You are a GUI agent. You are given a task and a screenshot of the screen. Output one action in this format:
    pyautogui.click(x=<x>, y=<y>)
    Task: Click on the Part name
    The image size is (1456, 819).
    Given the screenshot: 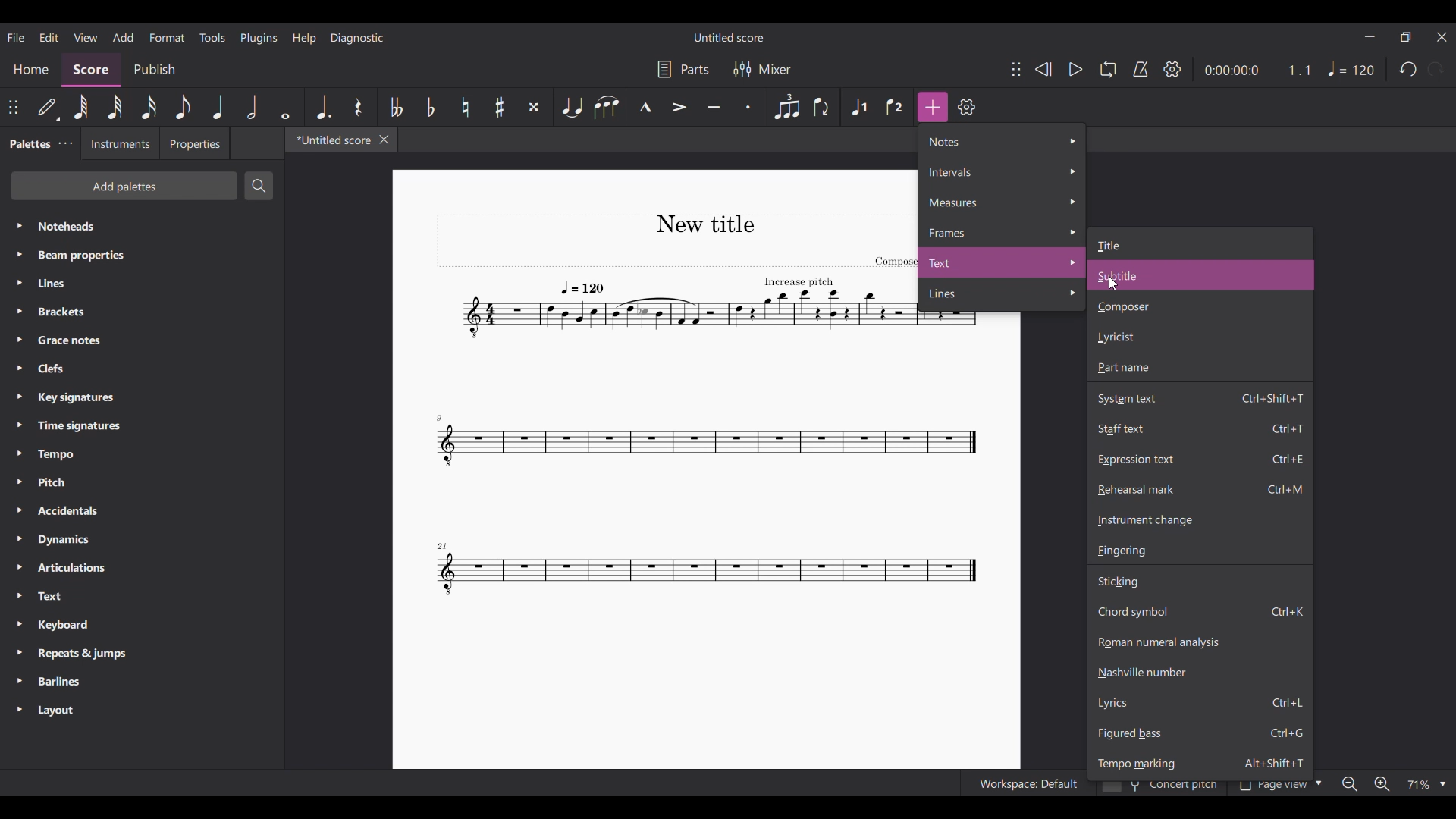 What is the action you would take?
    pyautogui.click(x=1200, y=368)
    